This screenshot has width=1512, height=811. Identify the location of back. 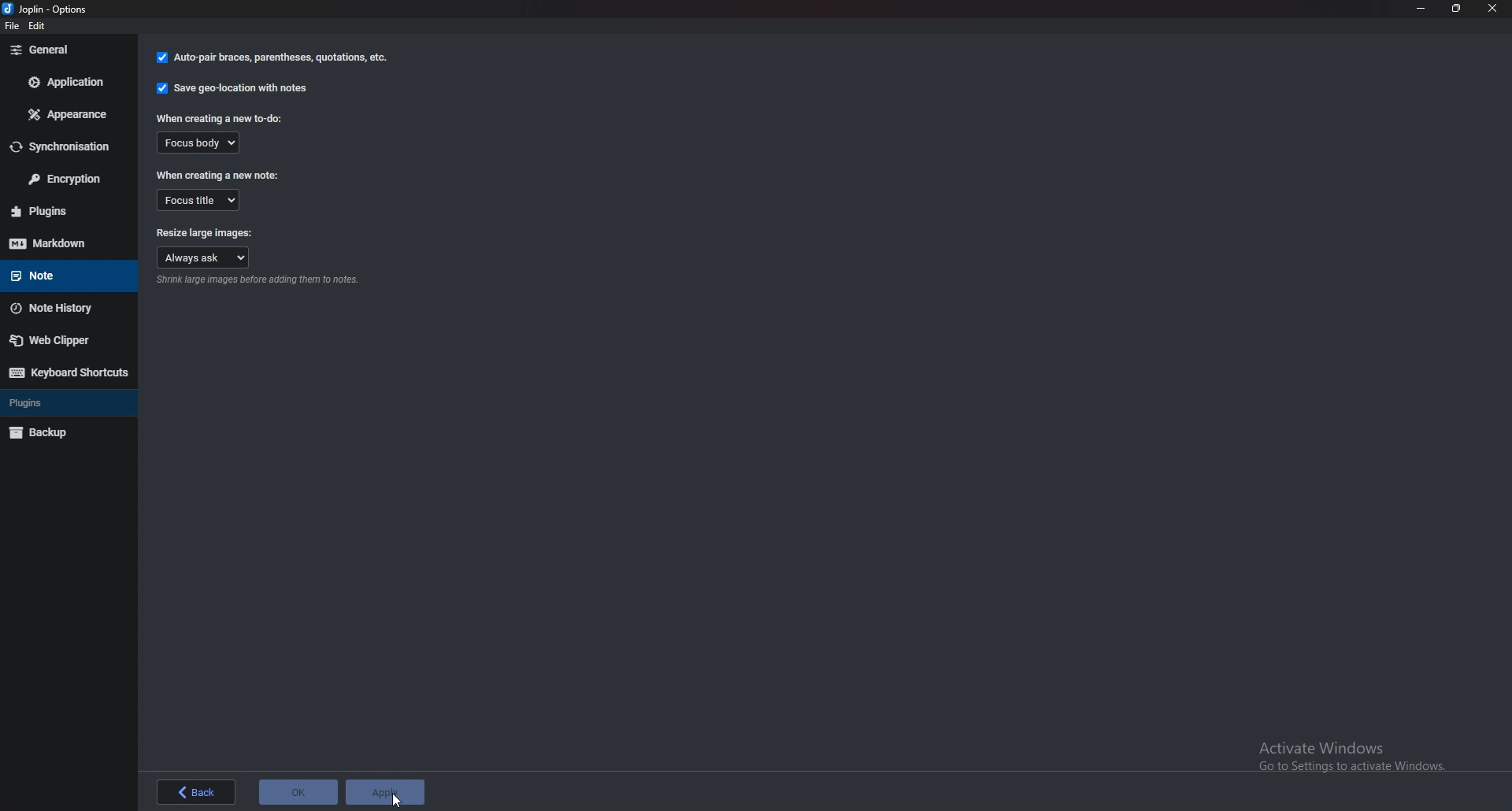
(195, 794).